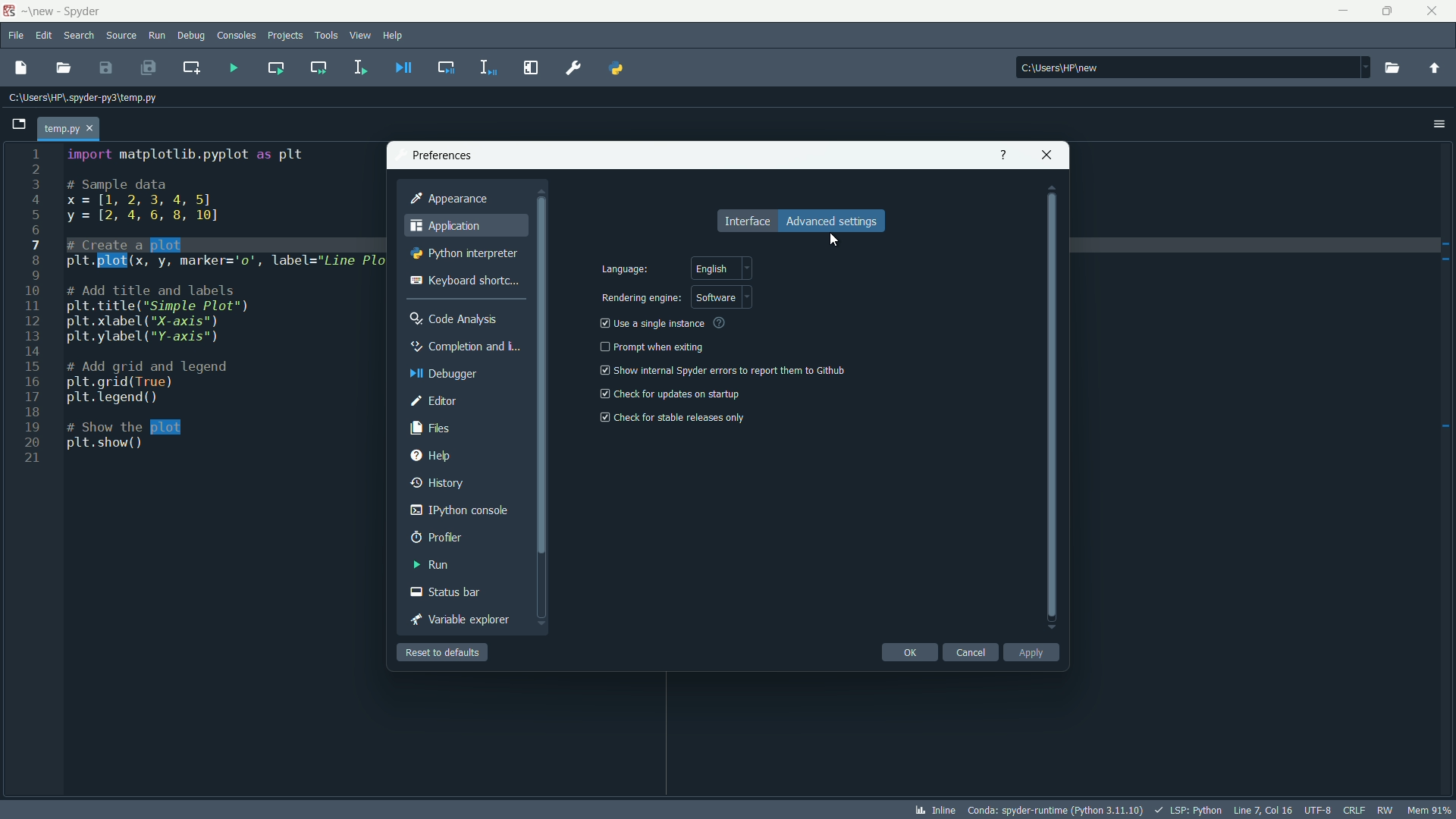 The width and height of the screenshot is (1456, 819). What do you see at coordinates (42, 11) in the screenshot?
I see `folder name` at bounding box center [42, 11].